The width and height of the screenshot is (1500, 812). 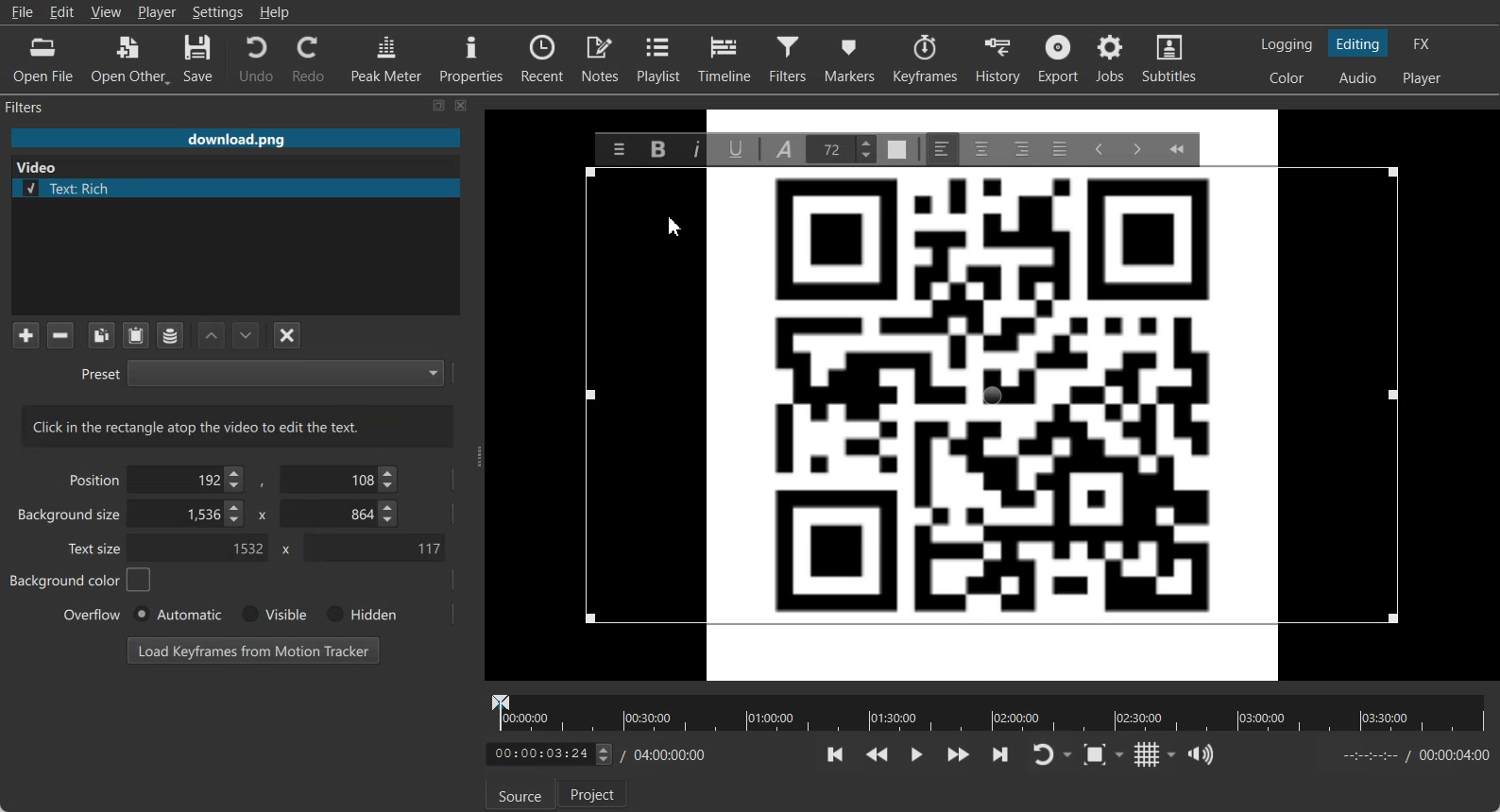 What do you see at coordinates (1061, 59) in the screenshot?
I see `Export` at bounding box center [1061, 59].